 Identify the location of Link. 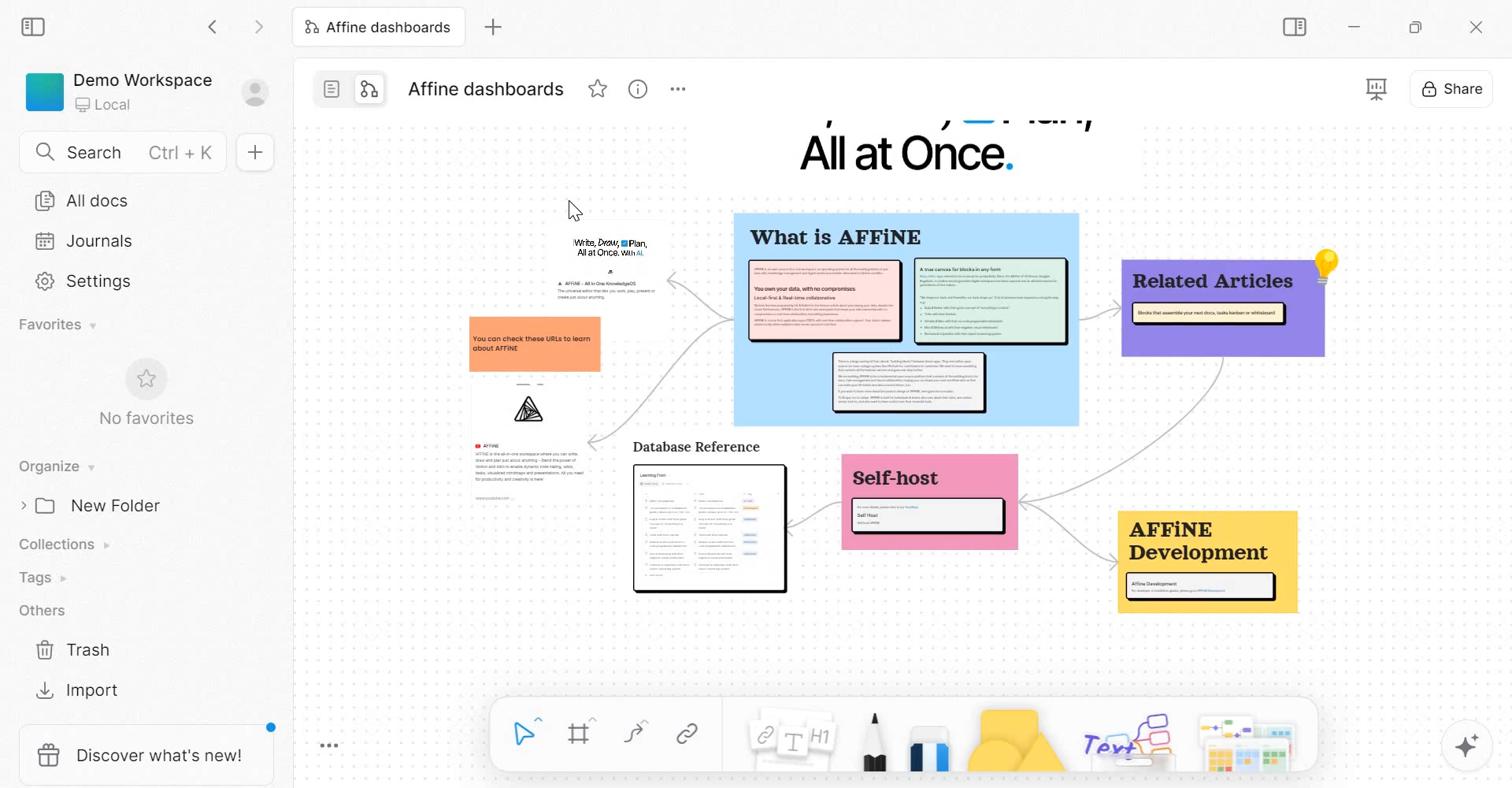
(687, 734).